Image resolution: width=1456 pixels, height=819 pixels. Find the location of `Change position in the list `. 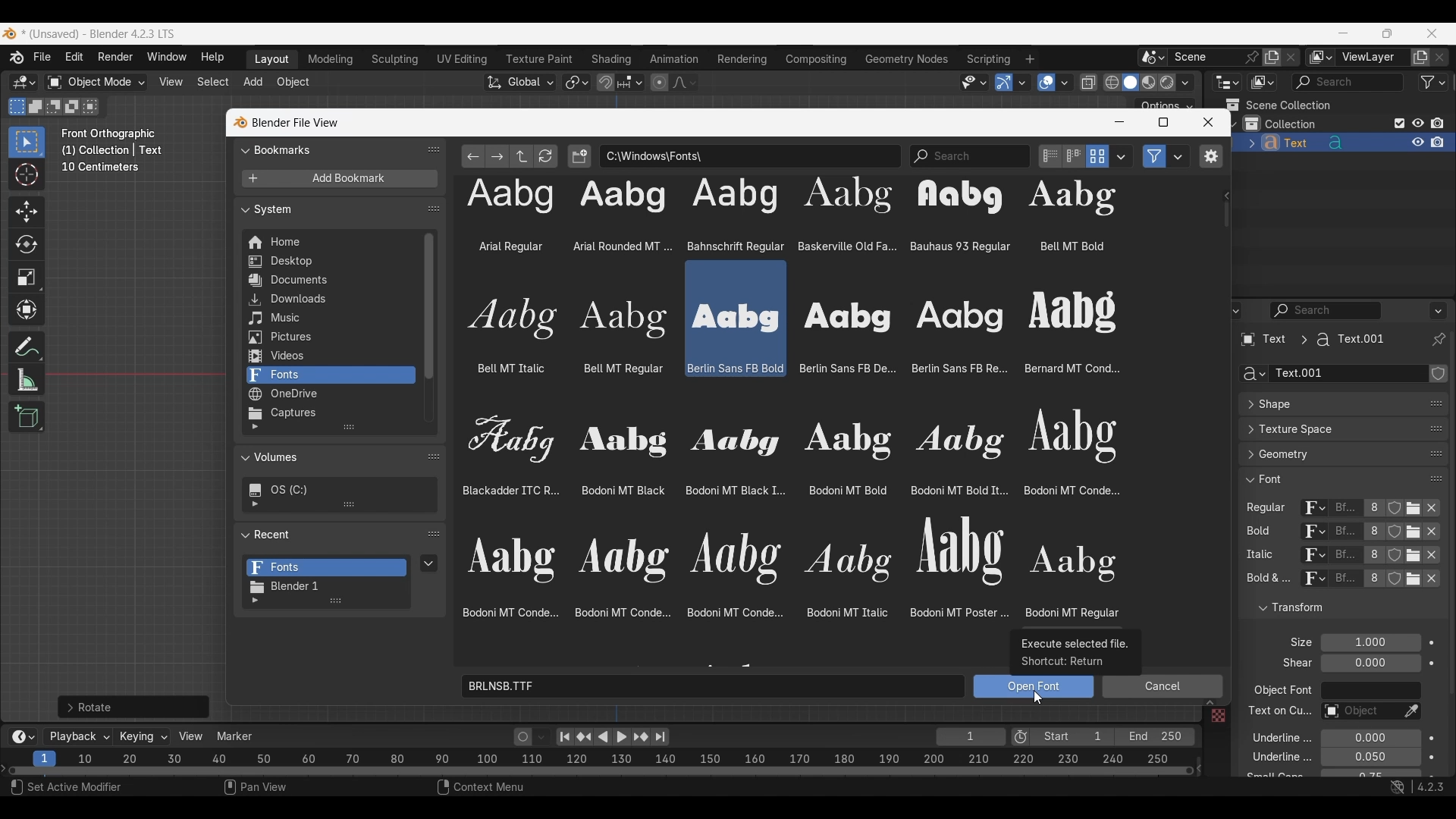

Change position in the list  is located at coordinates (1436, 475).